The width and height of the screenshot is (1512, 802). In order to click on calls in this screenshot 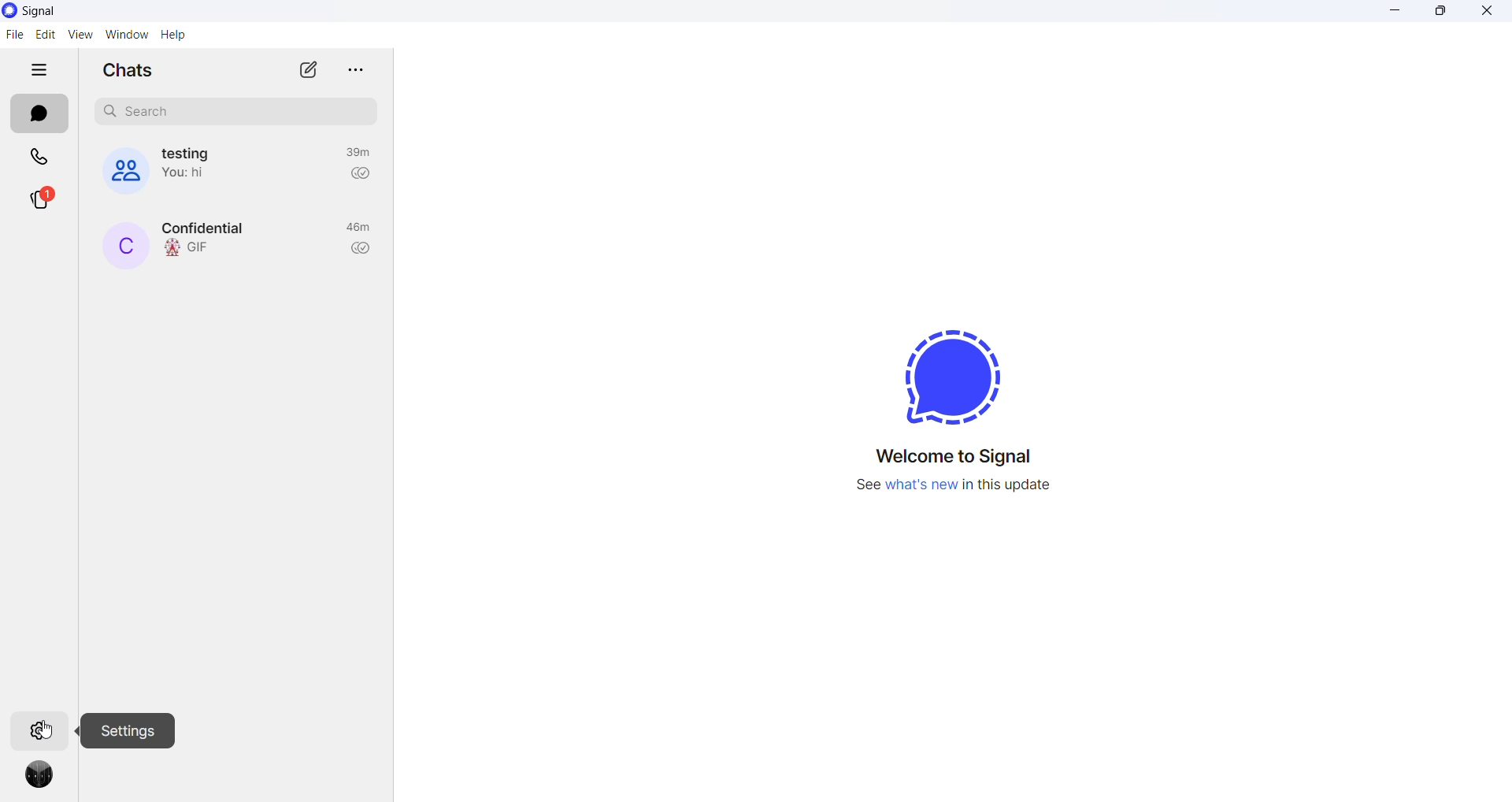, I will do `click(39, 158)`.